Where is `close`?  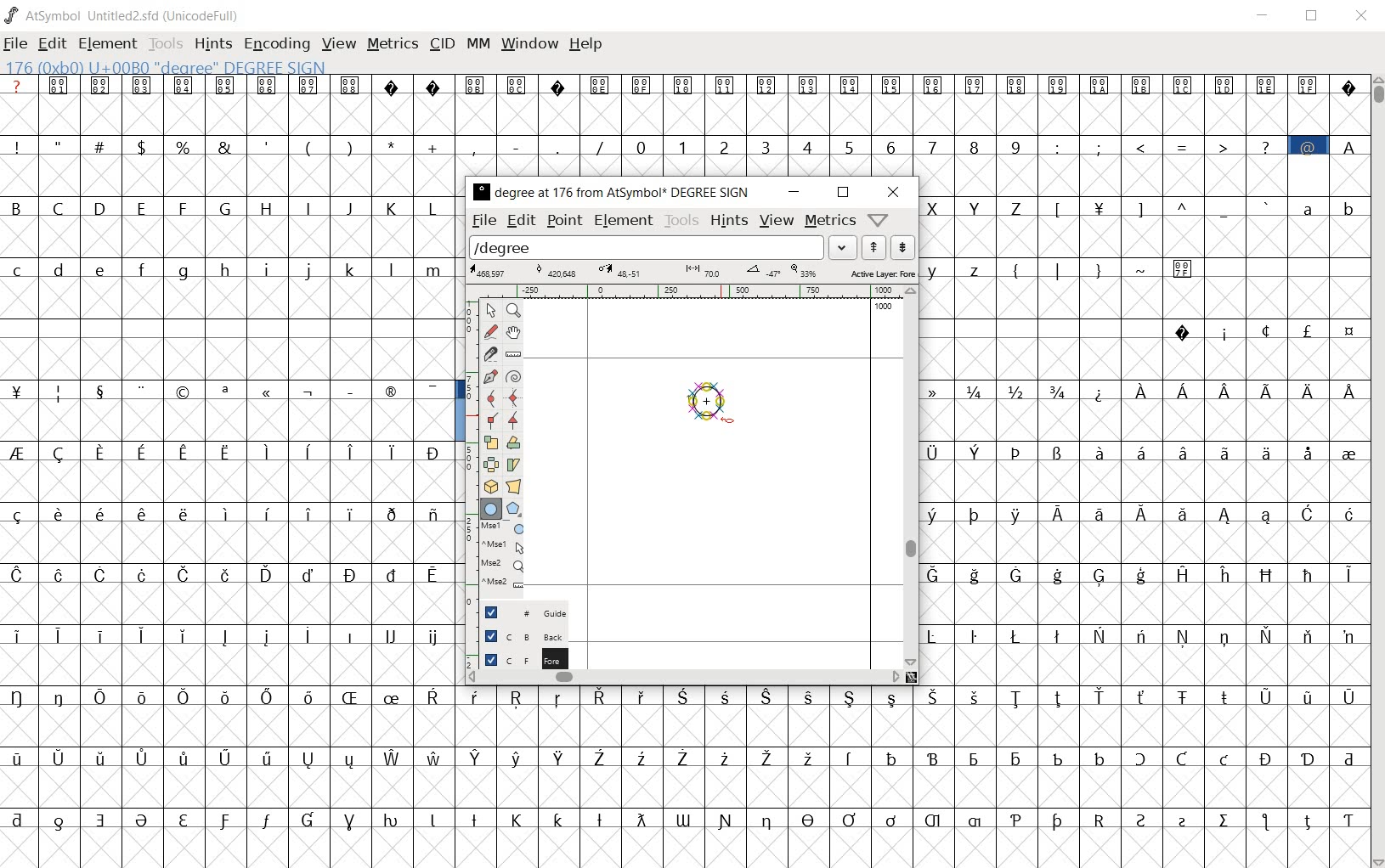 close is located at coordinates (893, 193).